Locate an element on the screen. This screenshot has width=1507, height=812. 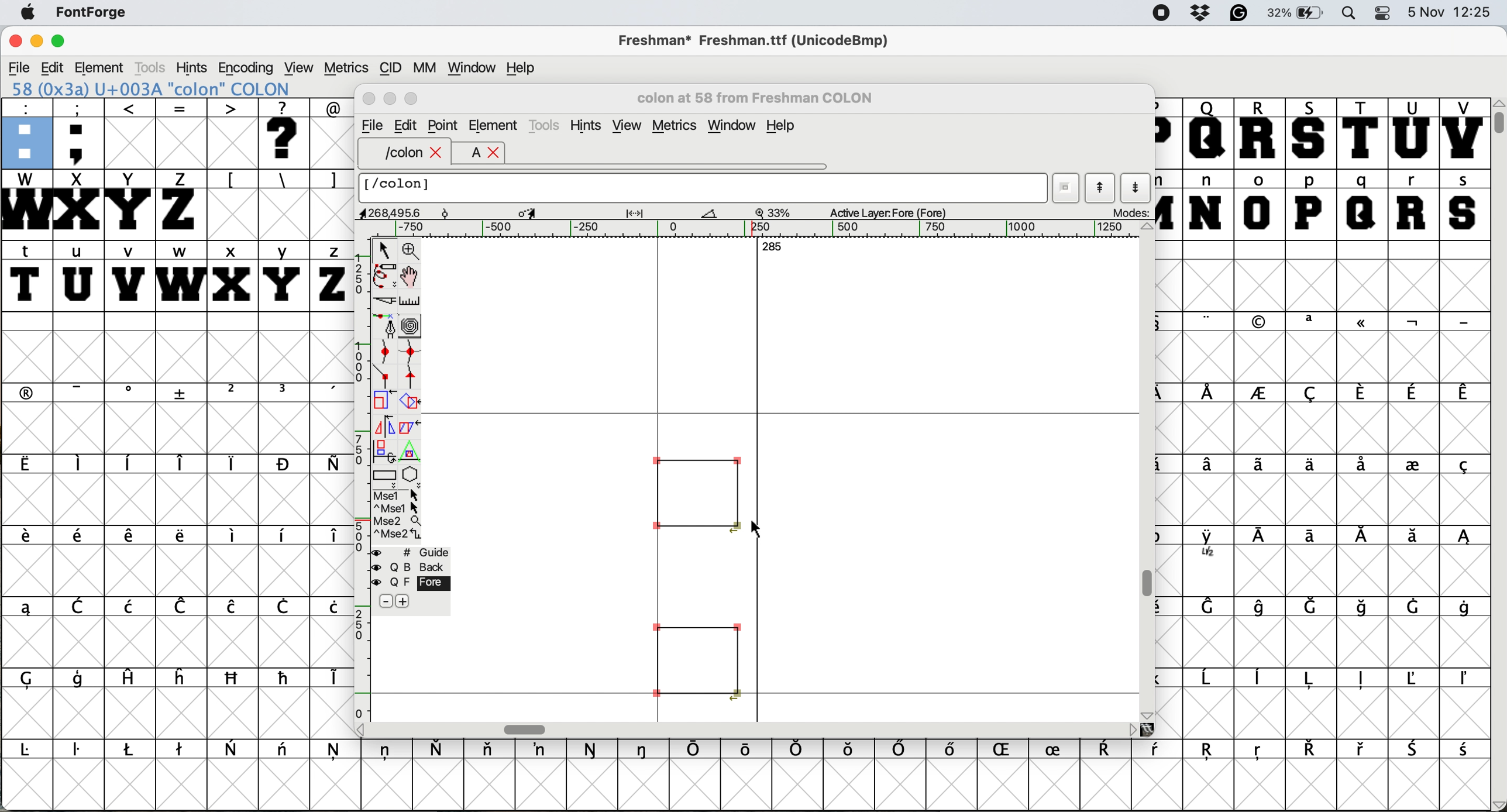
symbol is located at coordinates (1159, 751).